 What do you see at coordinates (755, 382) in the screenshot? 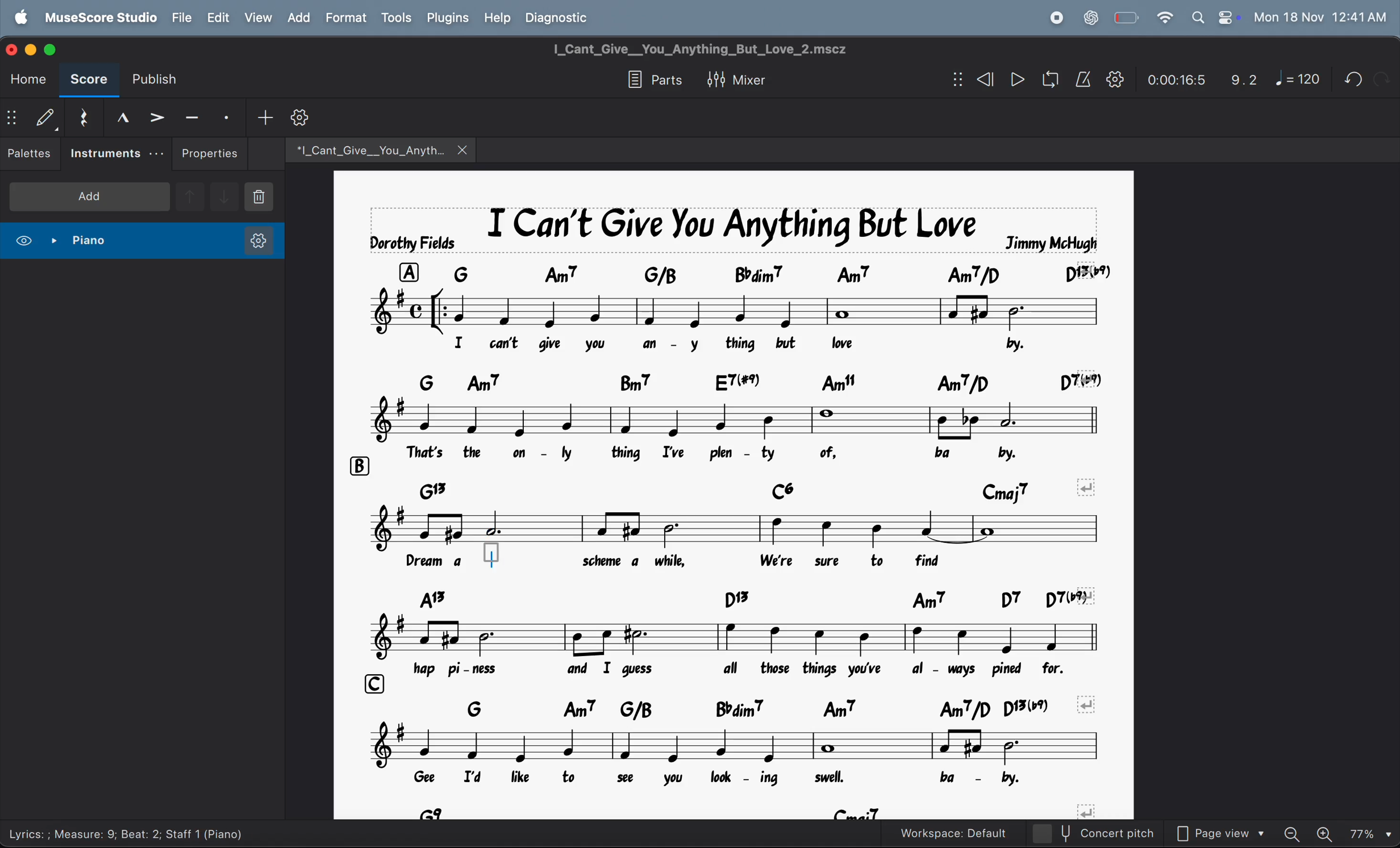
I see `chord symbols` at bounding box center [755, 382].